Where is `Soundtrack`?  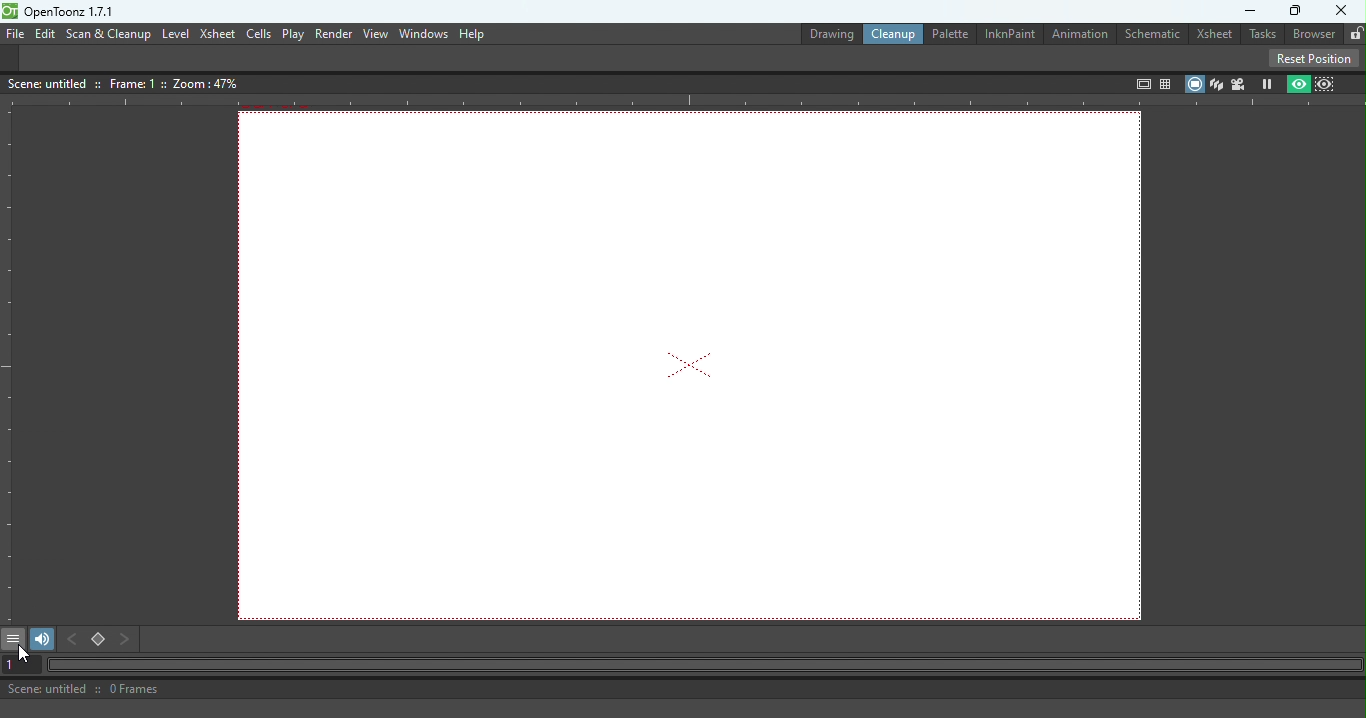 Soundtrack is located at coordinates (41, 638).